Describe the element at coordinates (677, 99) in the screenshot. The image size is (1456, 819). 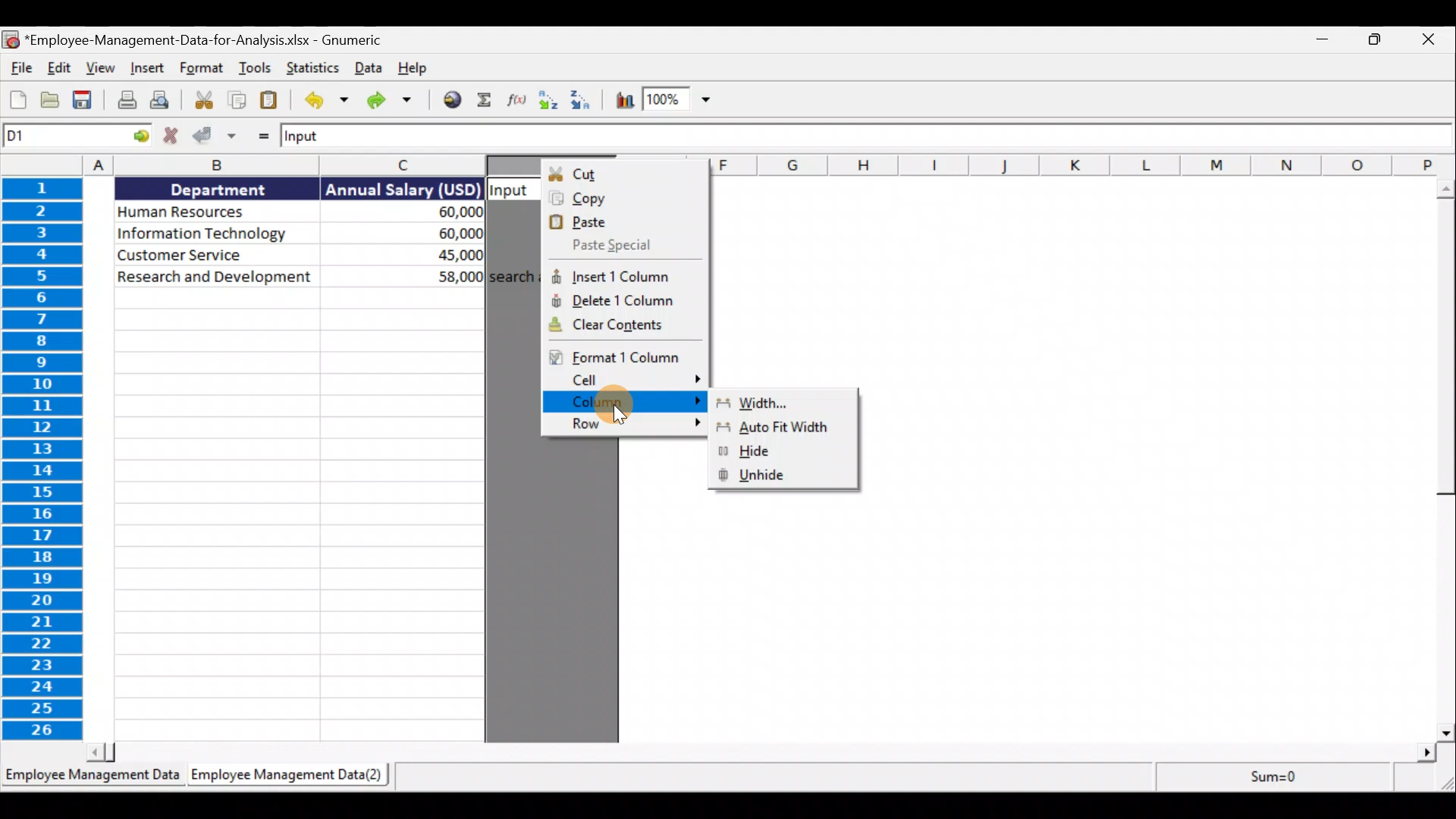
I see `Zoom` at that location.